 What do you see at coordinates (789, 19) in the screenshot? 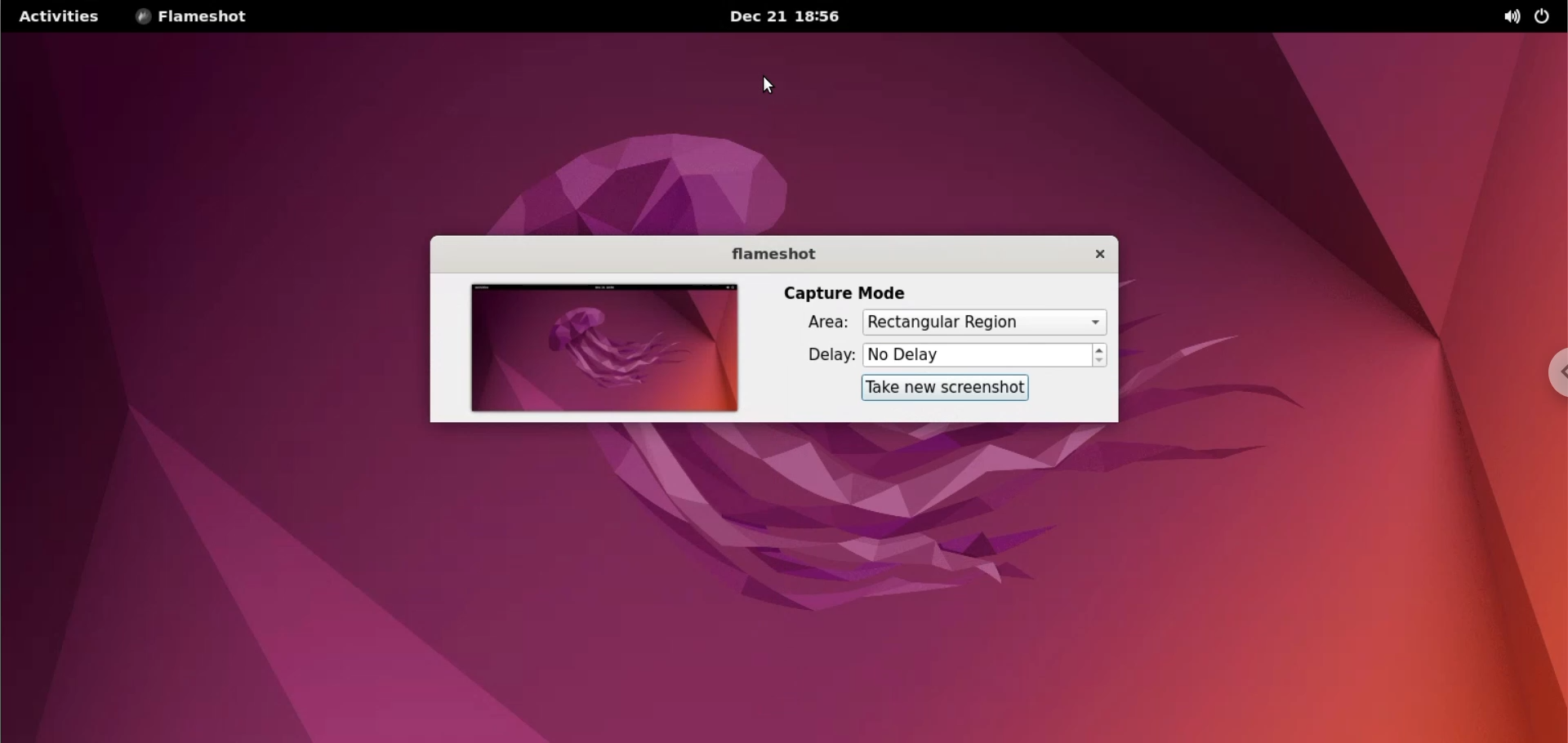
I see `Dec 21 18:56` at bounding box center [789, 19].